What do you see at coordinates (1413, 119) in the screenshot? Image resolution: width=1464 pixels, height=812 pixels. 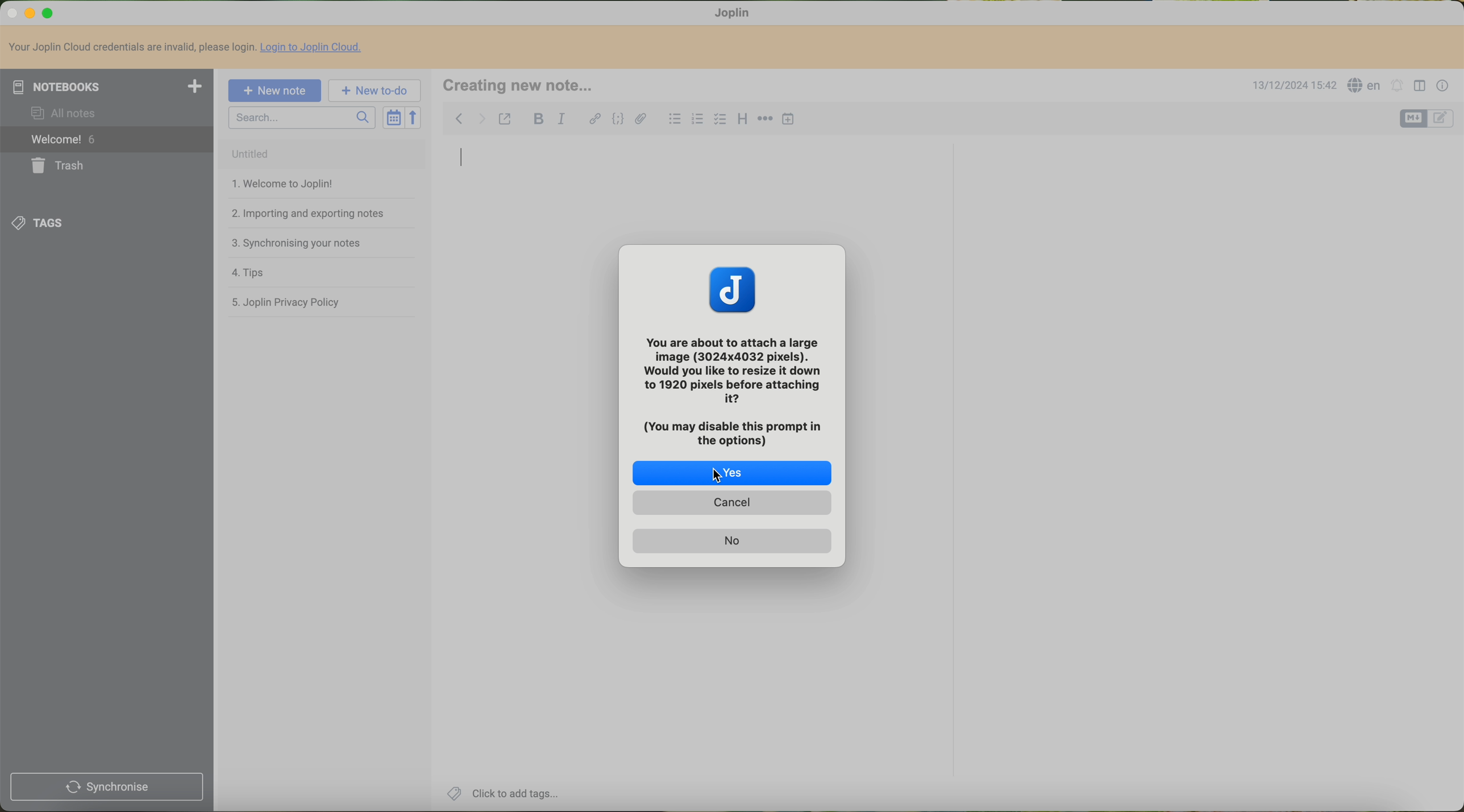 I see `toggle editors` at bounding box center [1413, 119].